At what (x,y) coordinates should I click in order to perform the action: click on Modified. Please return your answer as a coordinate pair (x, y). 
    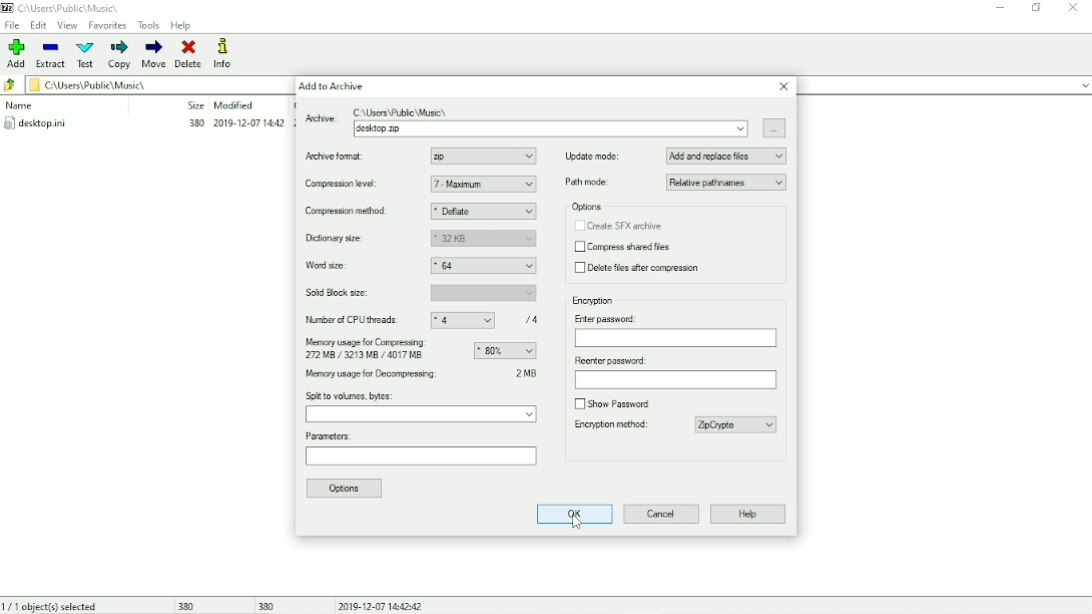
    Looking at the image, I should click on (235, 105).